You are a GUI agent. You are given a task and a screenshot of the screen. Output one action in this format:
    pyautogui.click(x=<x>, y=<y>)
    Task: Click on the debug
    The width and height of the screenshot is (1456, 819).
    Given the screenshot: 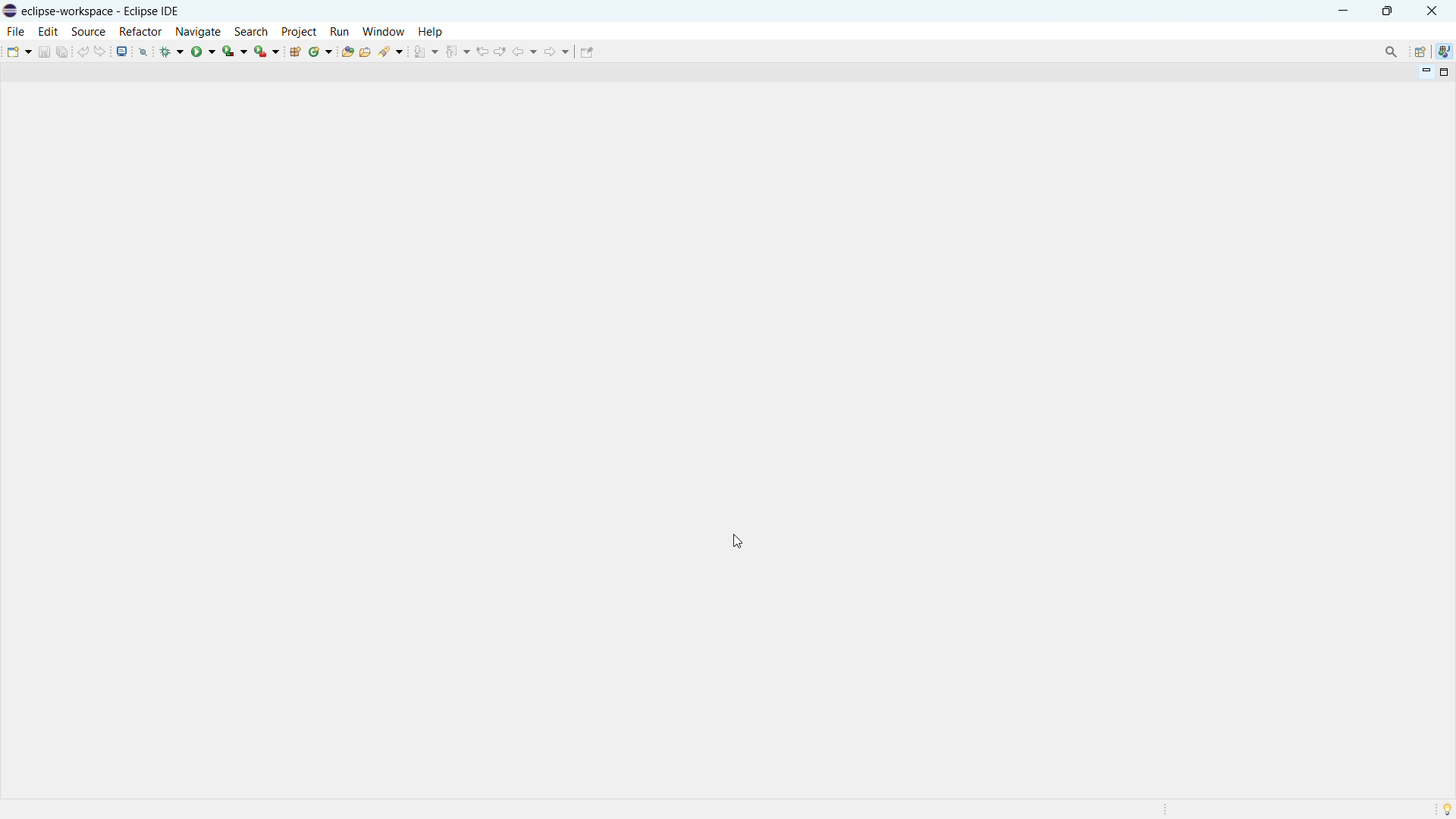 What is the action you would take?
    pyautogui.click(x=173, y=51)
    